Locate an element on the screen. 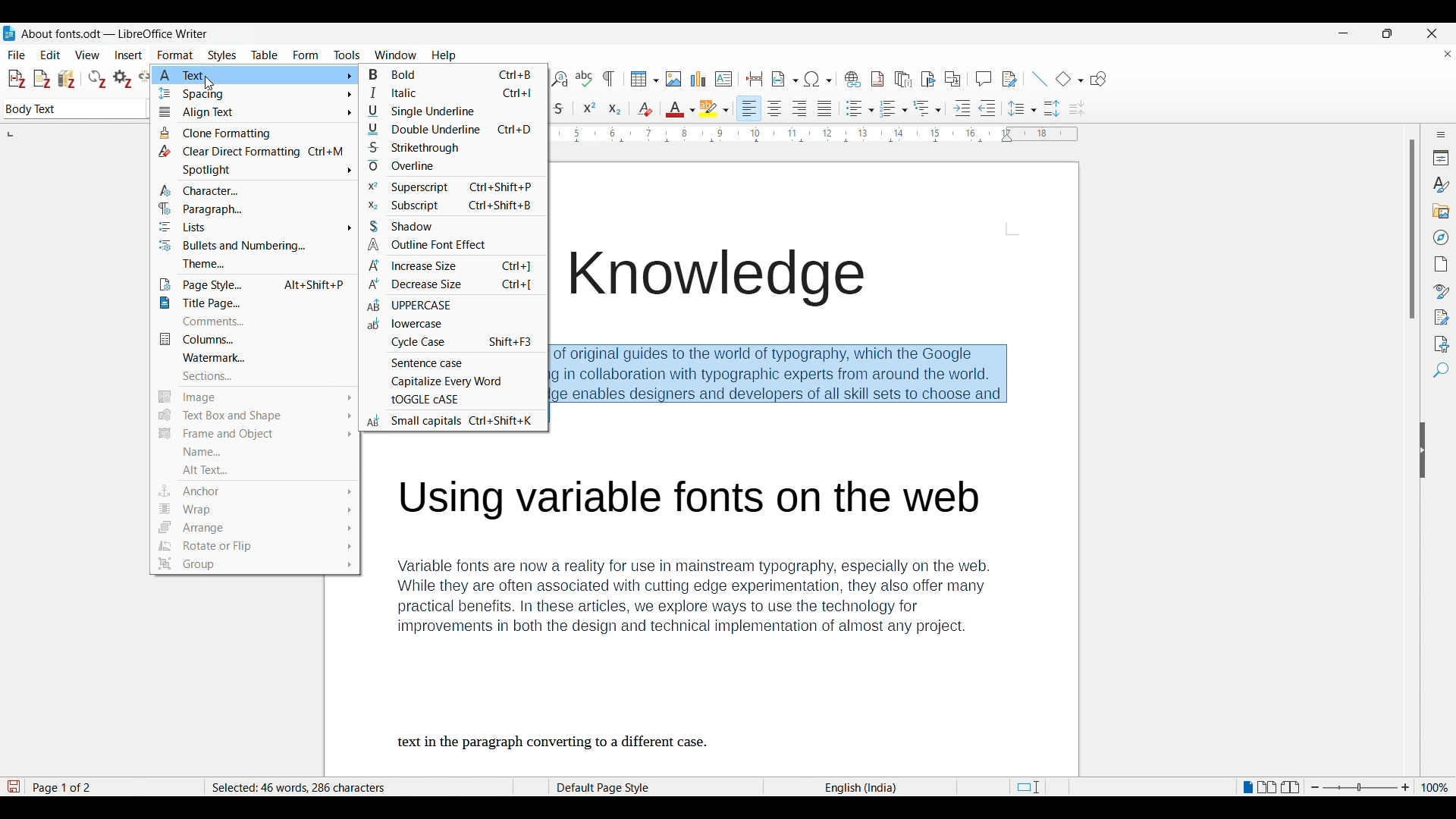 Image resolution: width=1456 pixels, height=819 pixels. Align Text is located at coordinates (250, 114).